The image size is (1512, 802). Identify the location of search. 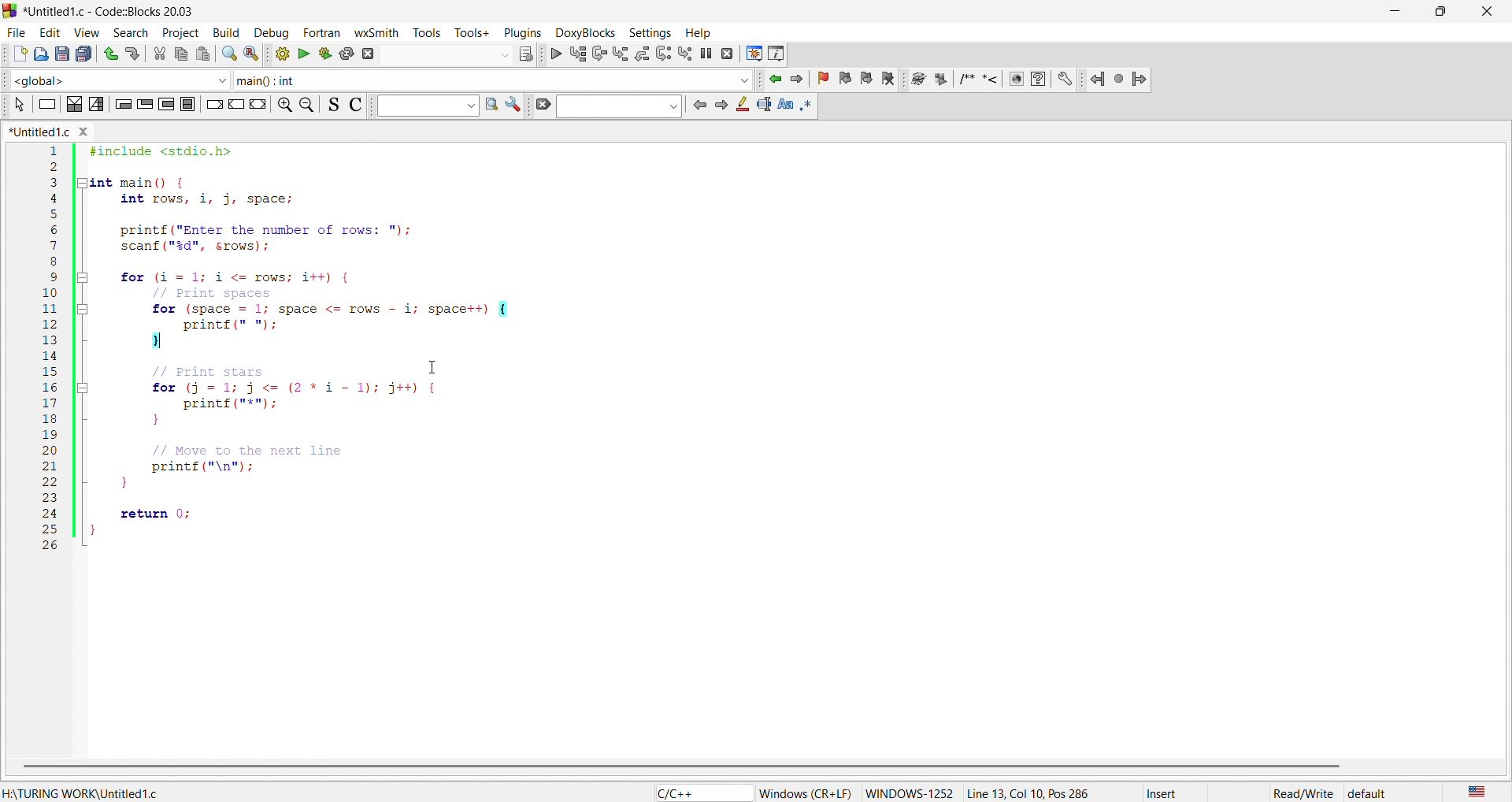
(491, 104).